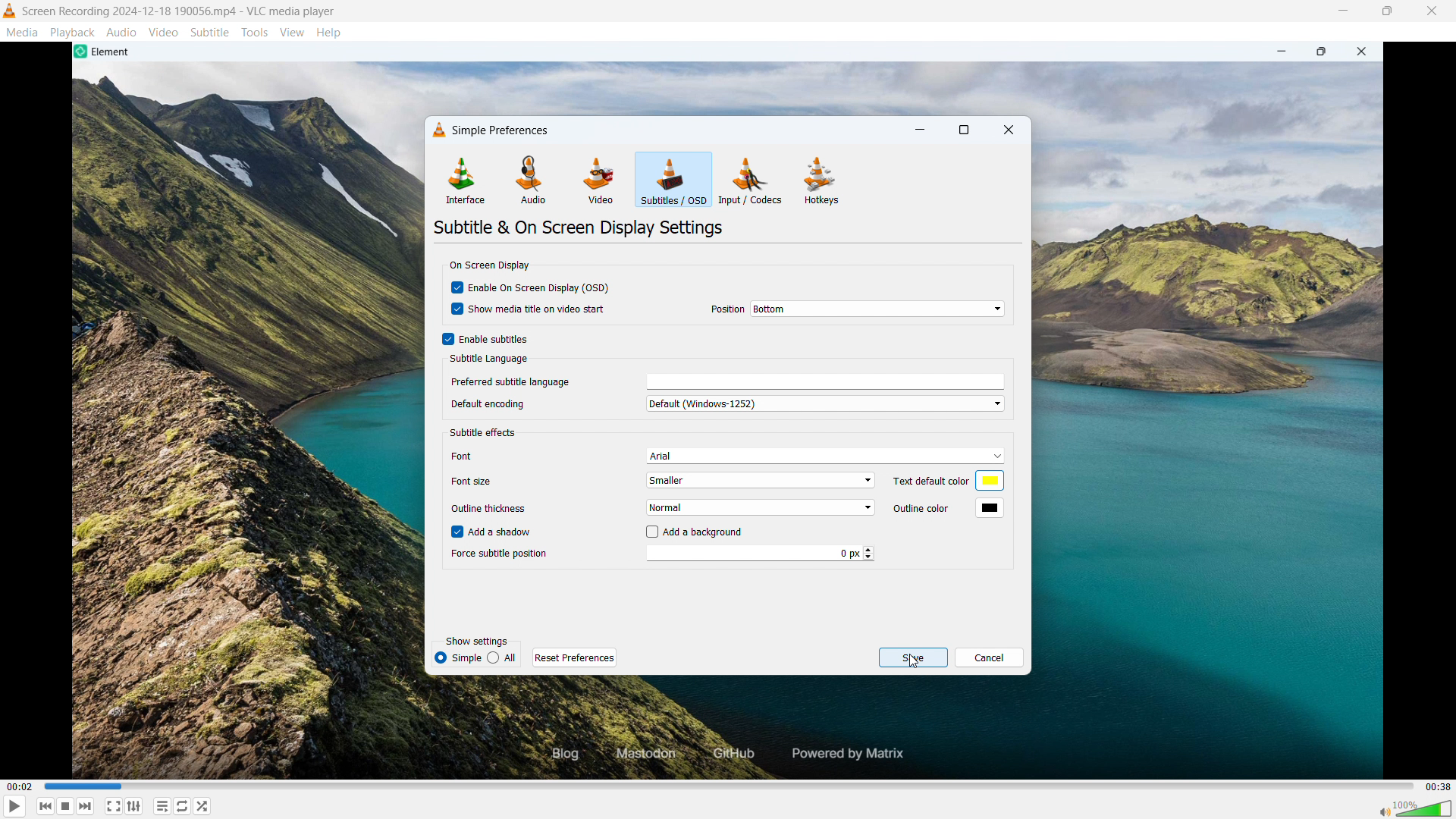 The height and width of the screenshot is (819, 1456). What do you see at coordinates (990, 508) in the screenshot?
I see `Outline colour ` at bounding box center [990, 508].